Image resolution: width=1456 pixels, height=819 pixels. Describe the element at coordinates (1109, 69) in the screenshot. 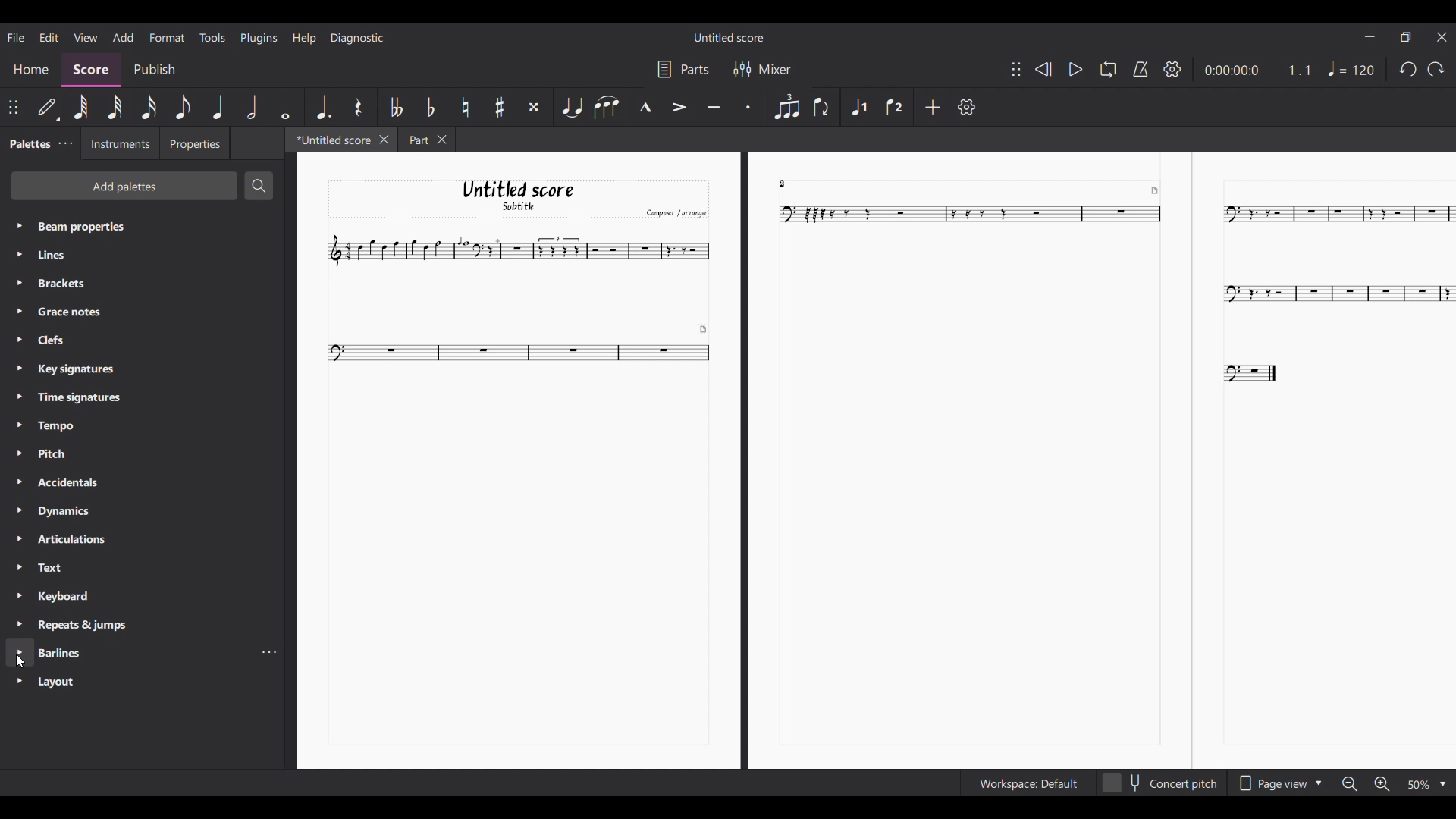

I see `Loop playback ` at that location.